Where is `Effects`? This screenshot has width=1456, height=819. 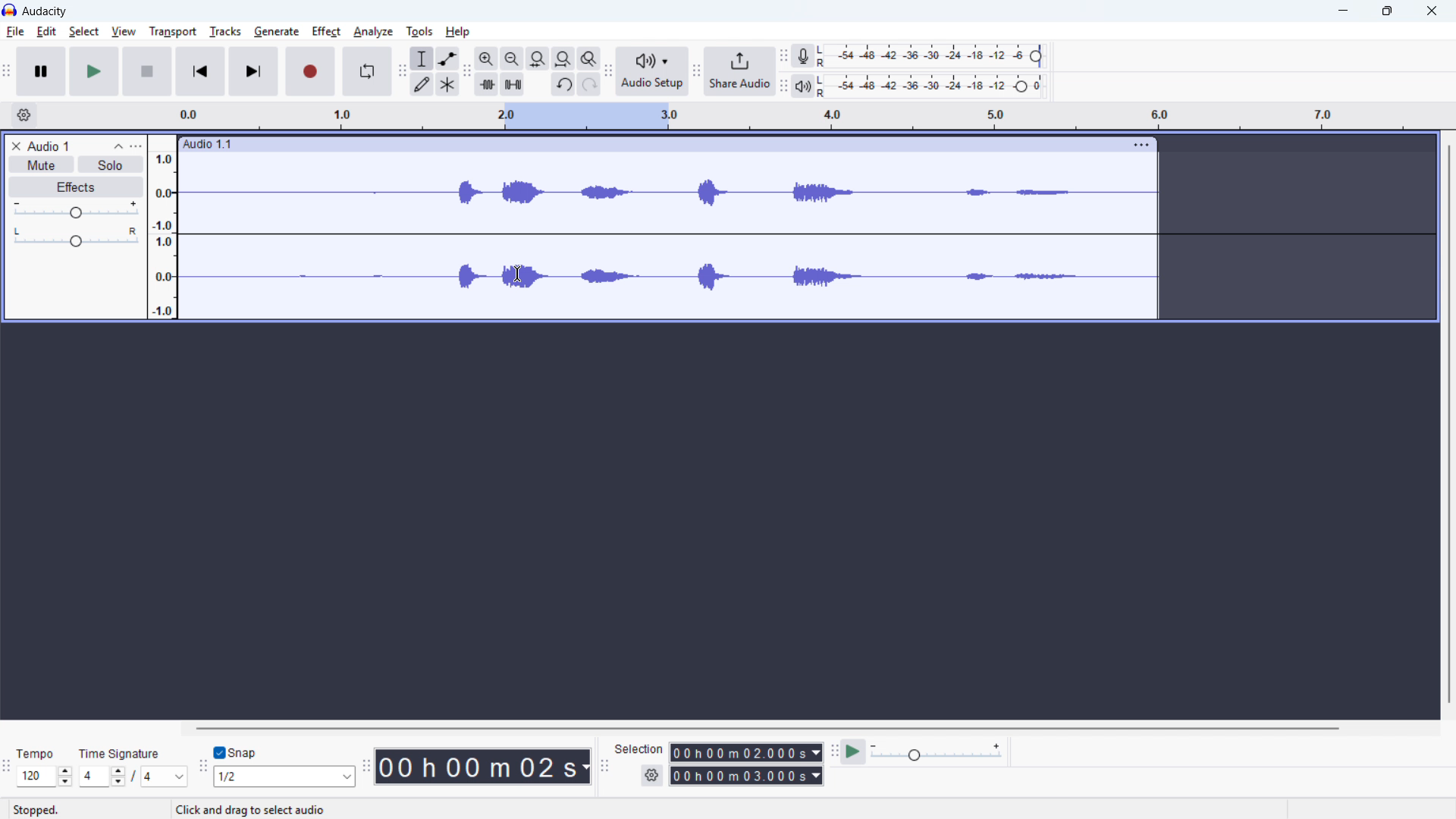 Effects is located at coordinates (76, 187).